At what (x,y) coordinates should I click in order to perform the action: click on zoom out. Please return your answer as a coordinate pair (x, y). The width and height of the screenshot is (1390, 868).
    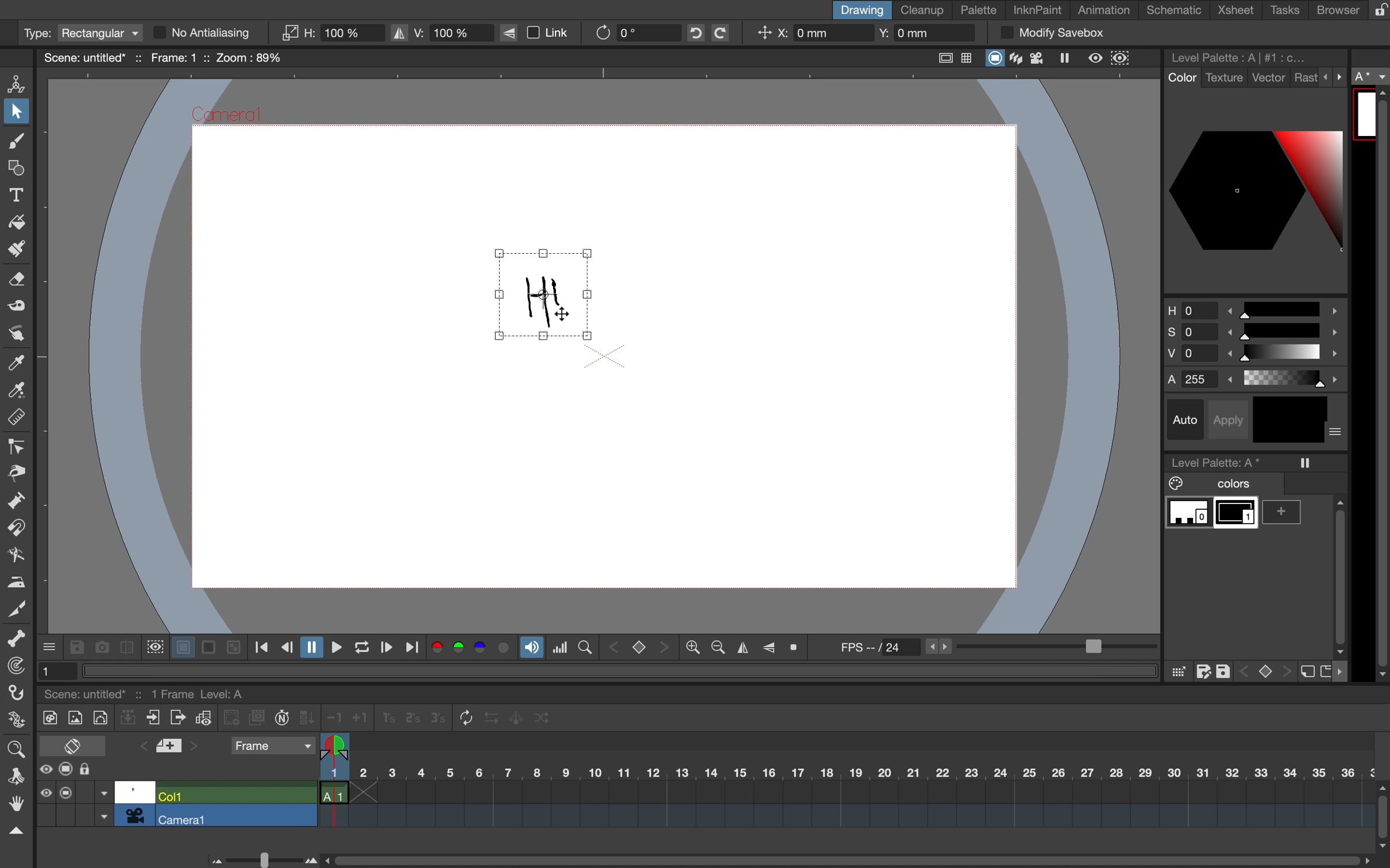
    Looking at the image, I should click on (692, 649).